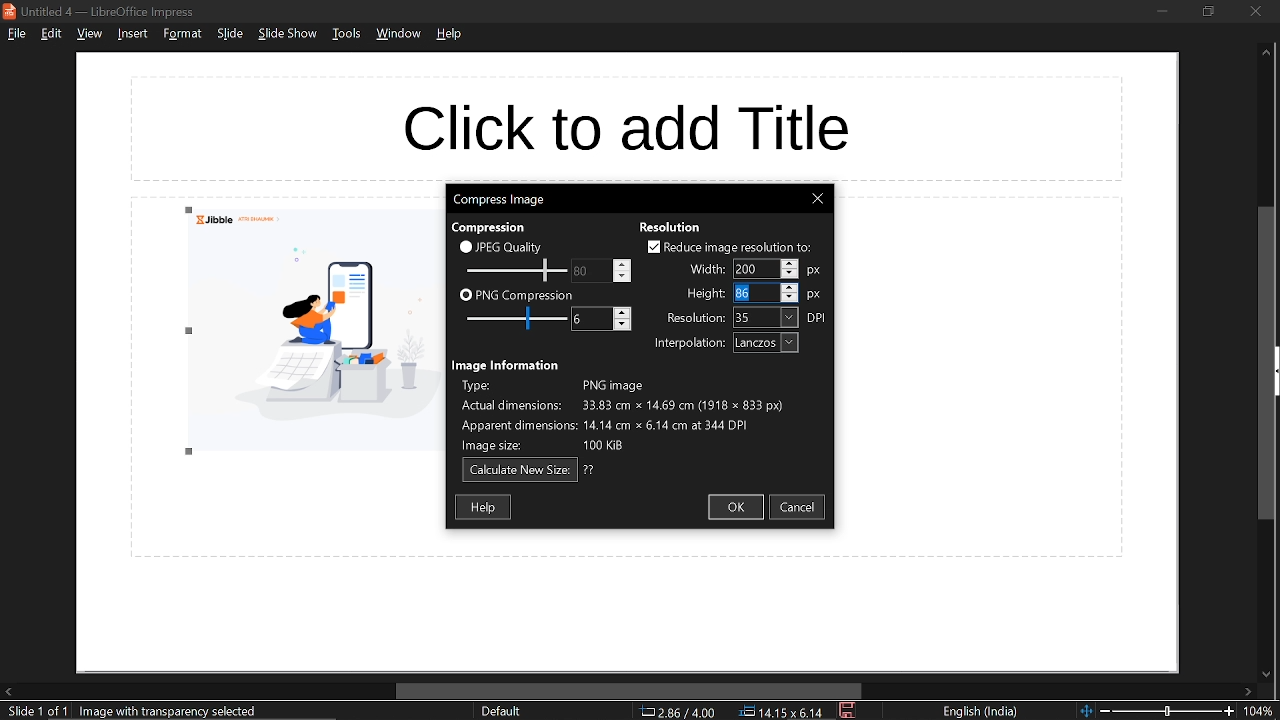  I want to click on increase height, so click(789, 286).